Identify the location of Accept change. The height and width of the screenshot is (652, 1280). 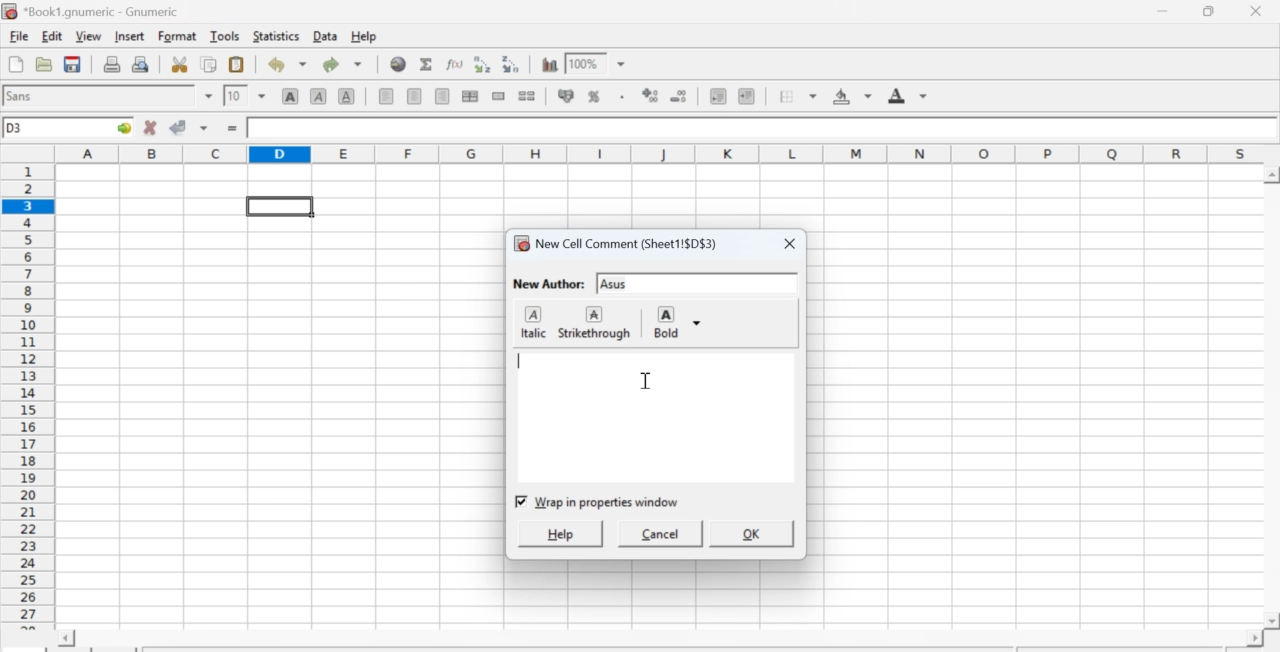
(177, 127).